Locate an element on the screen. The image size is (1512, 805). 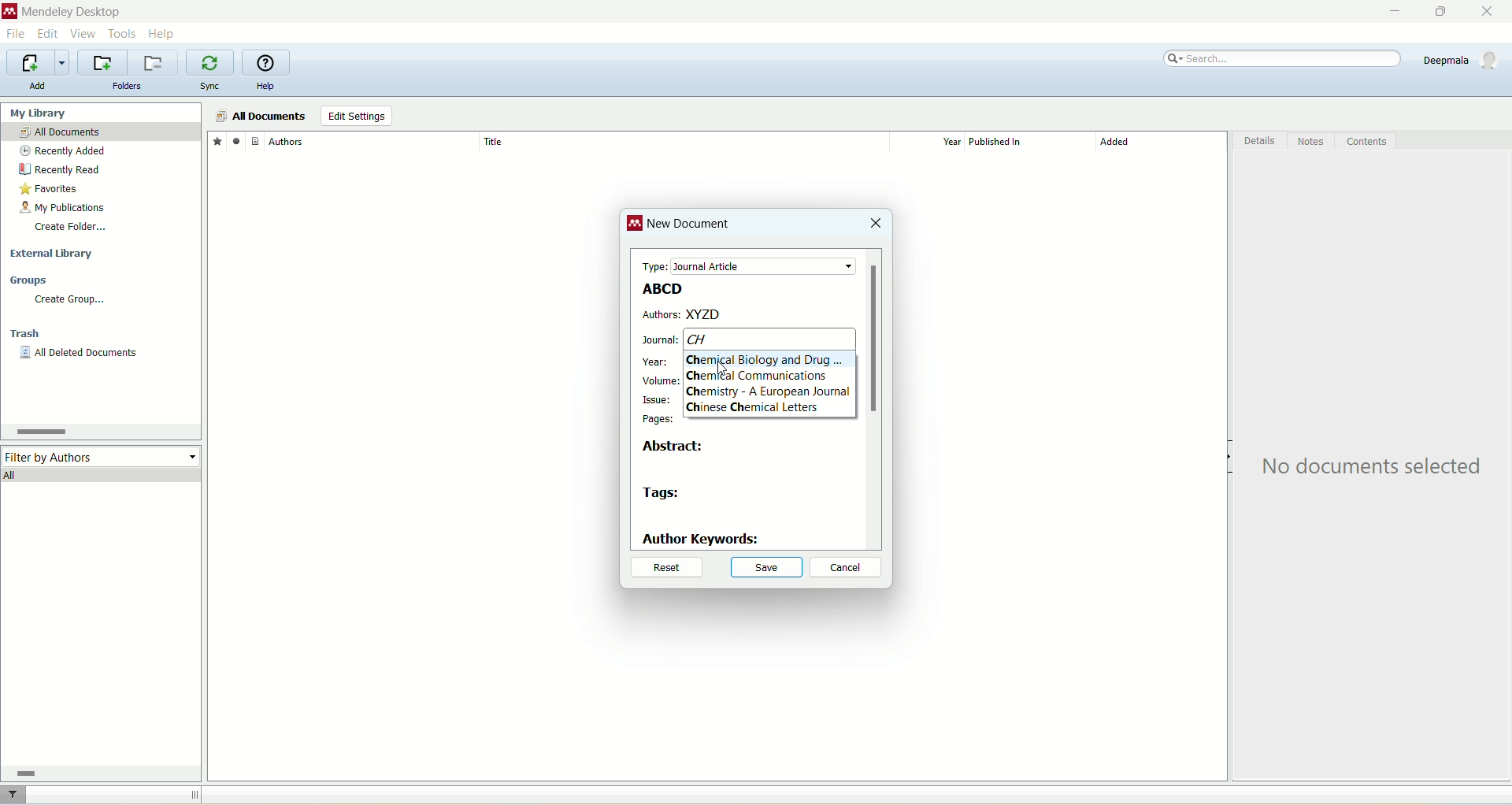
notes is located at coordinates (1313, 142).